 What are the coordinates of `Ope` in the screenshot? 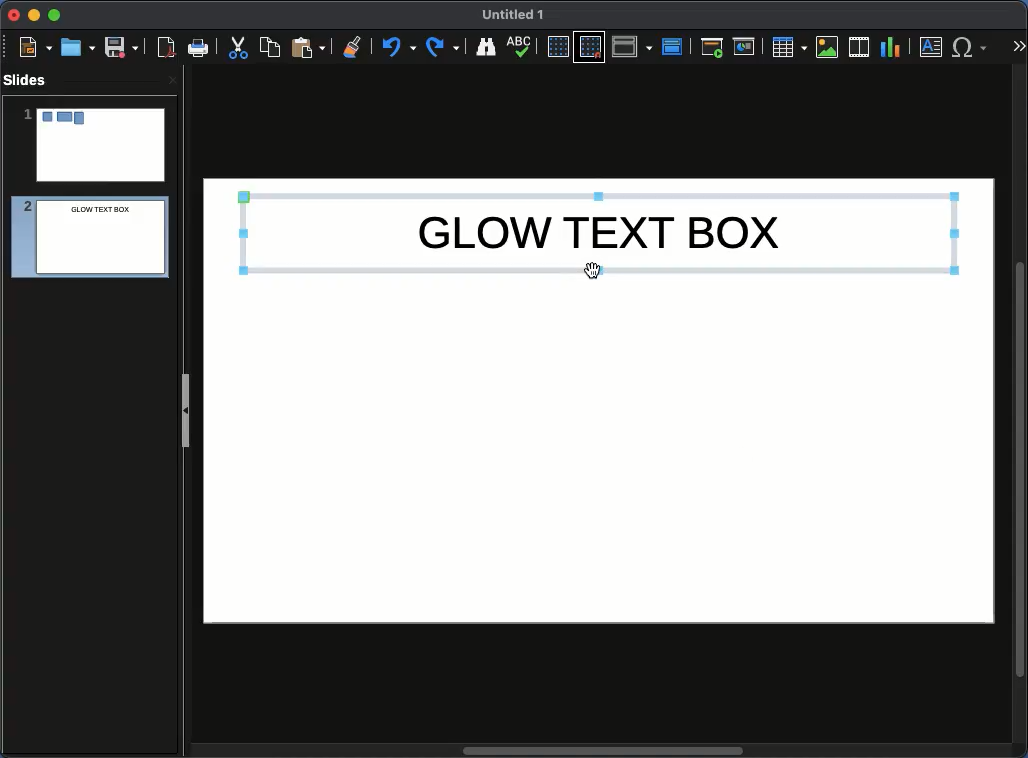 It's located at (78, 46).